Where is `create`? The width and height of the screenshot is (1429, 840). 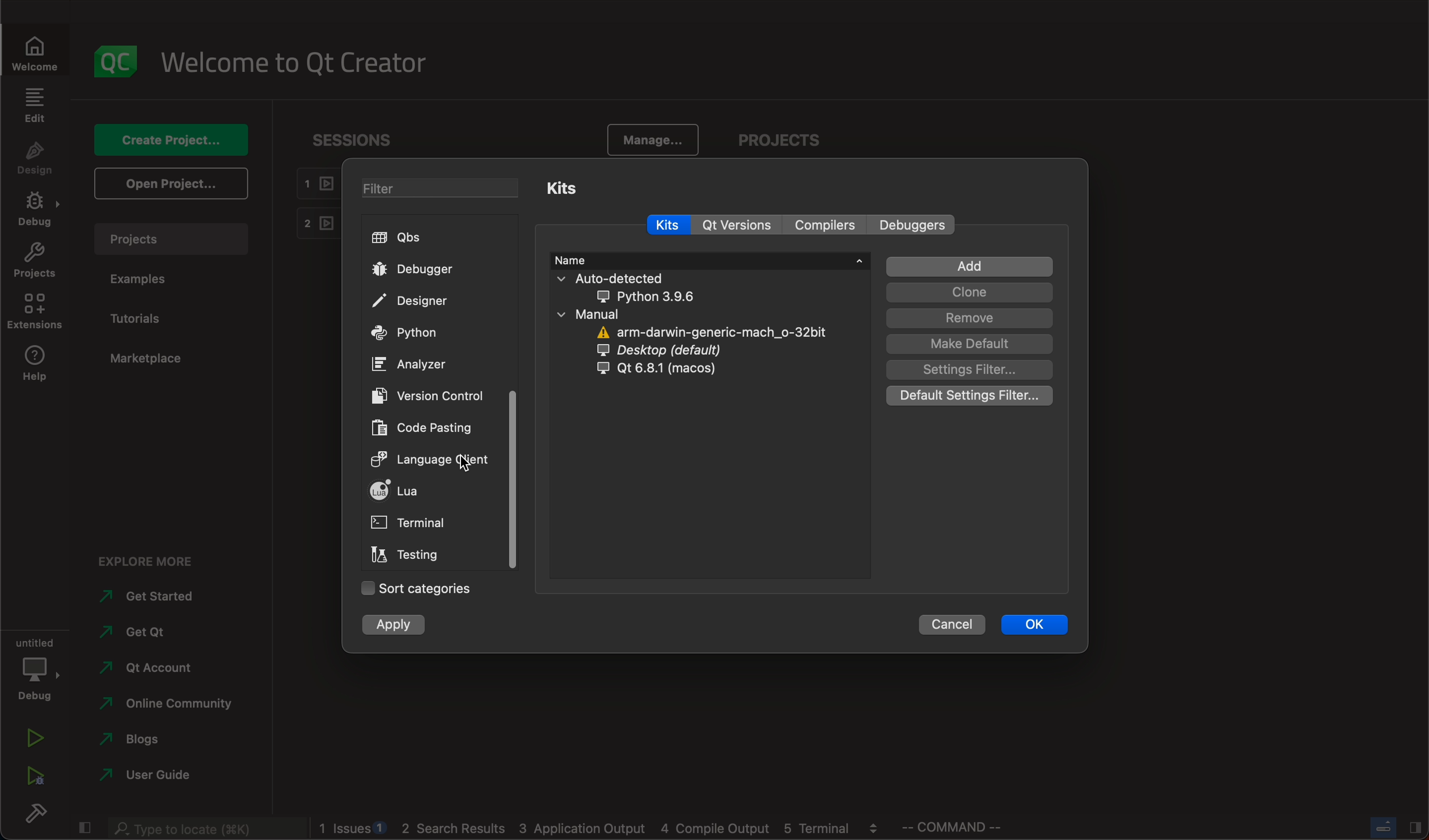 create is located at coordinates (167, 142).